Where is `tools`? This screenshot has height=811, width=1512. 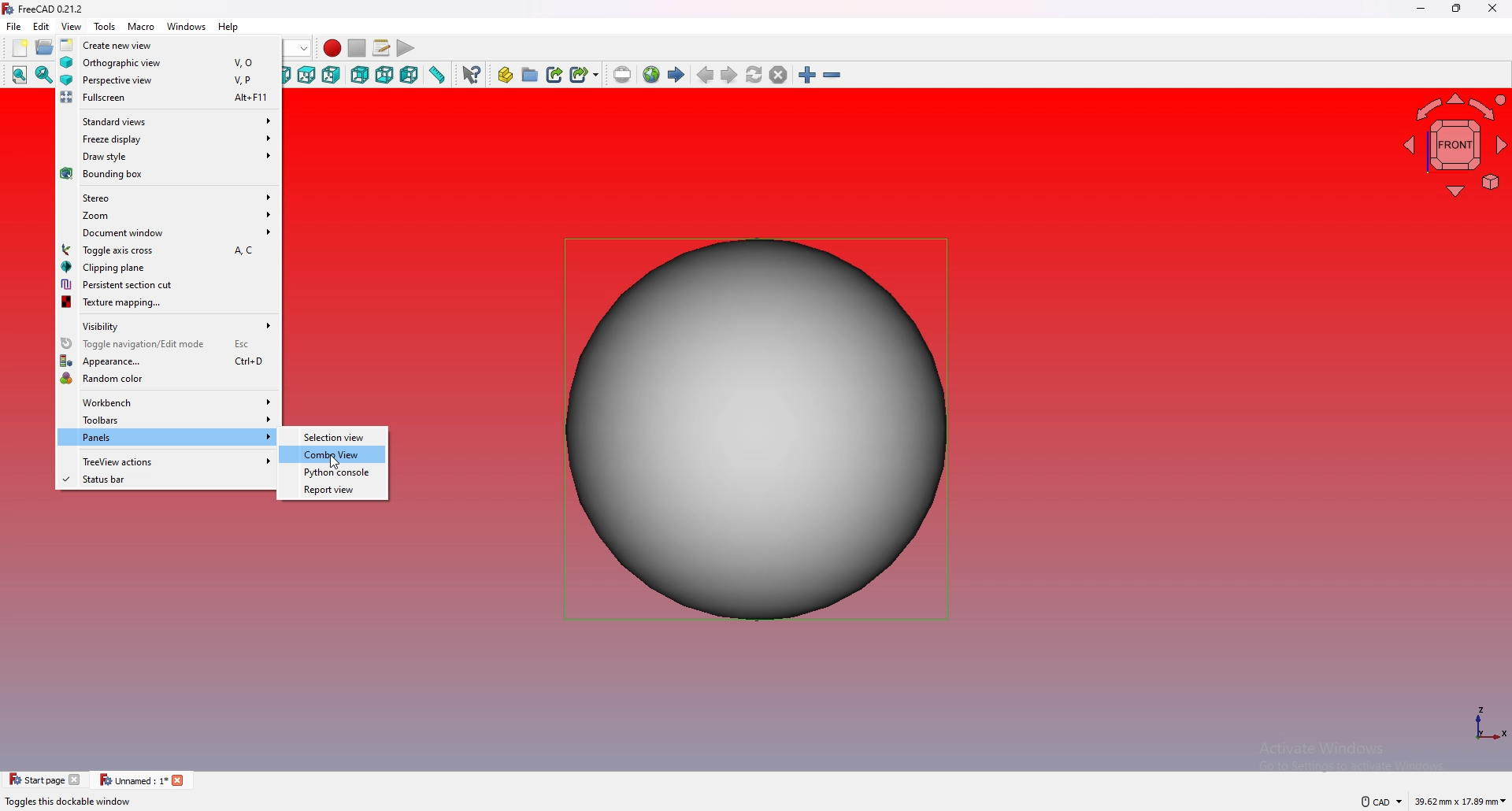
tools is located at coordinates (106, 27).